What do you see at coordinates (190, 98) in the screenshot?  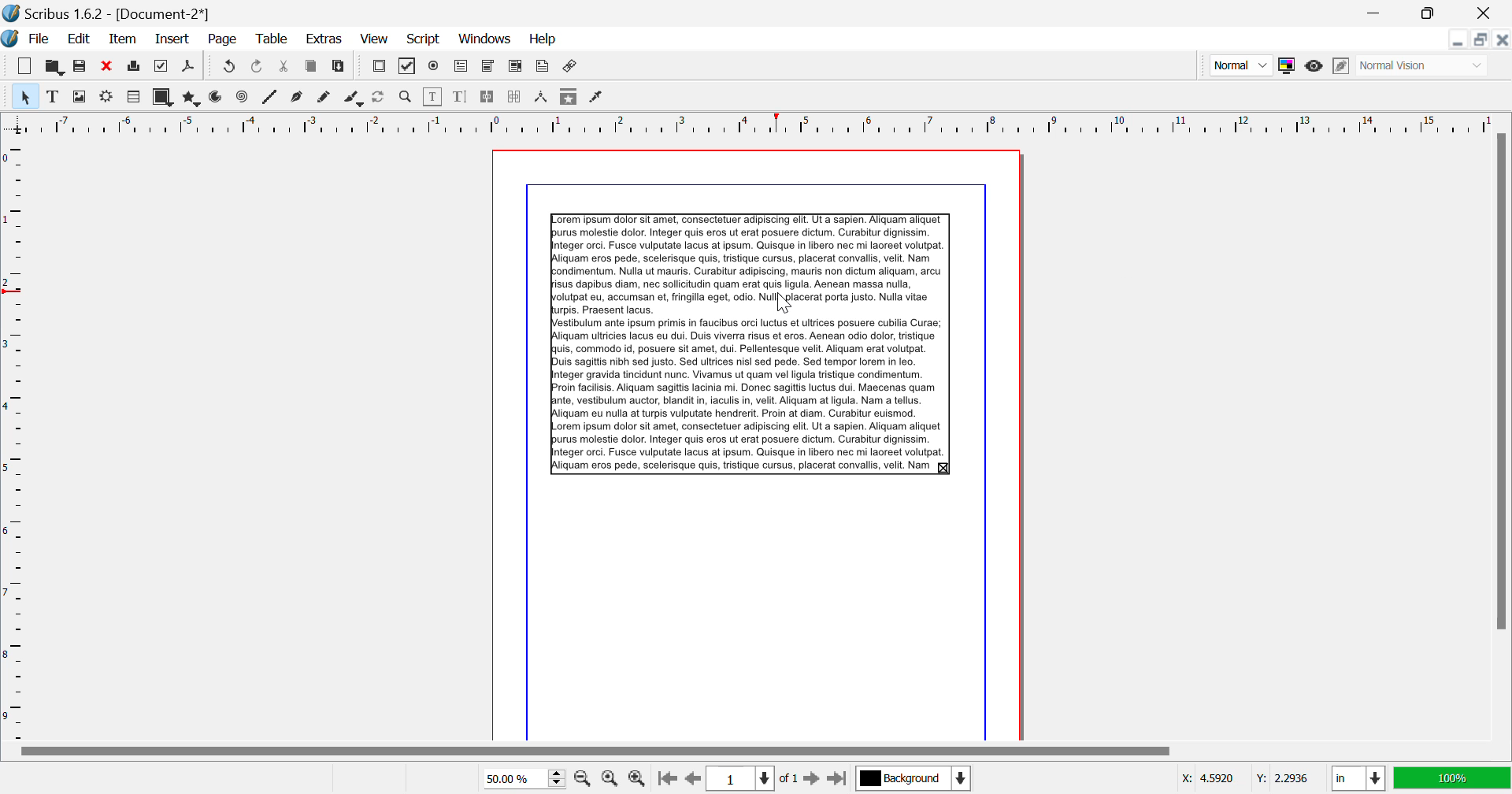 I see `Polygons` at bounding box center [190, 98].